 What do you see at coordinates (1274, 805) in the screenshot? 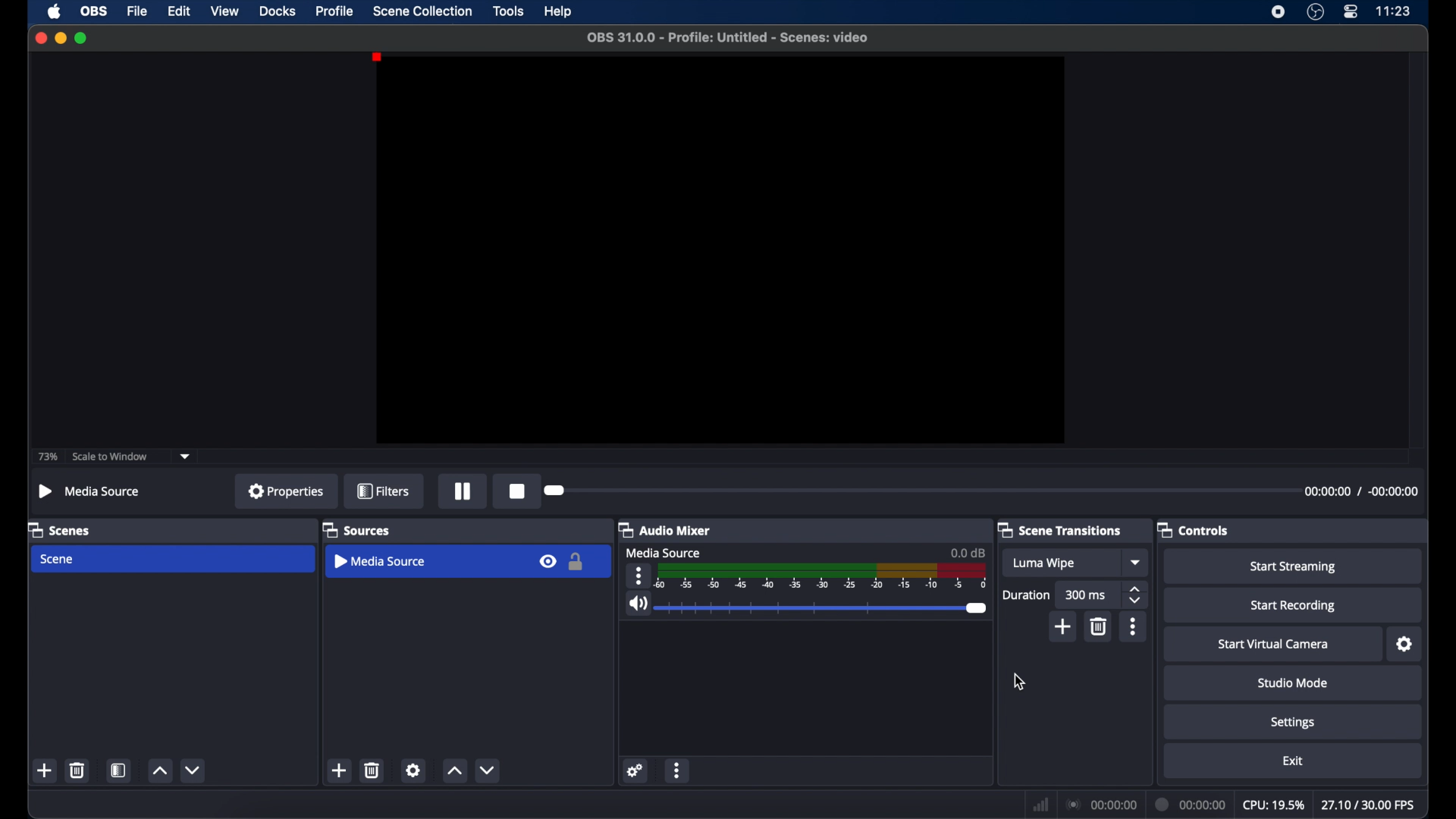
I see `cpu` at bounding box center [1274, 805].